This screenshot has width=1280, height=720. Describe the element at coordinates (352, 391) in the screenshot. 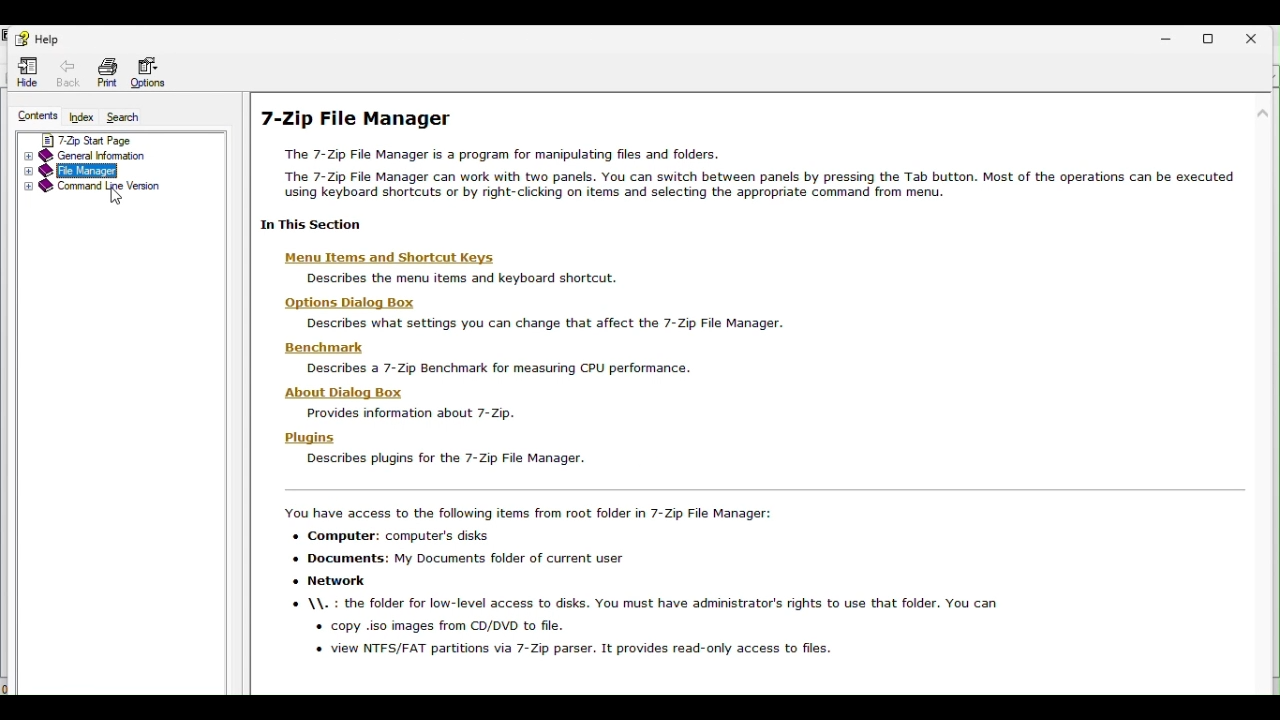

I see `About Dialog box` at that location.